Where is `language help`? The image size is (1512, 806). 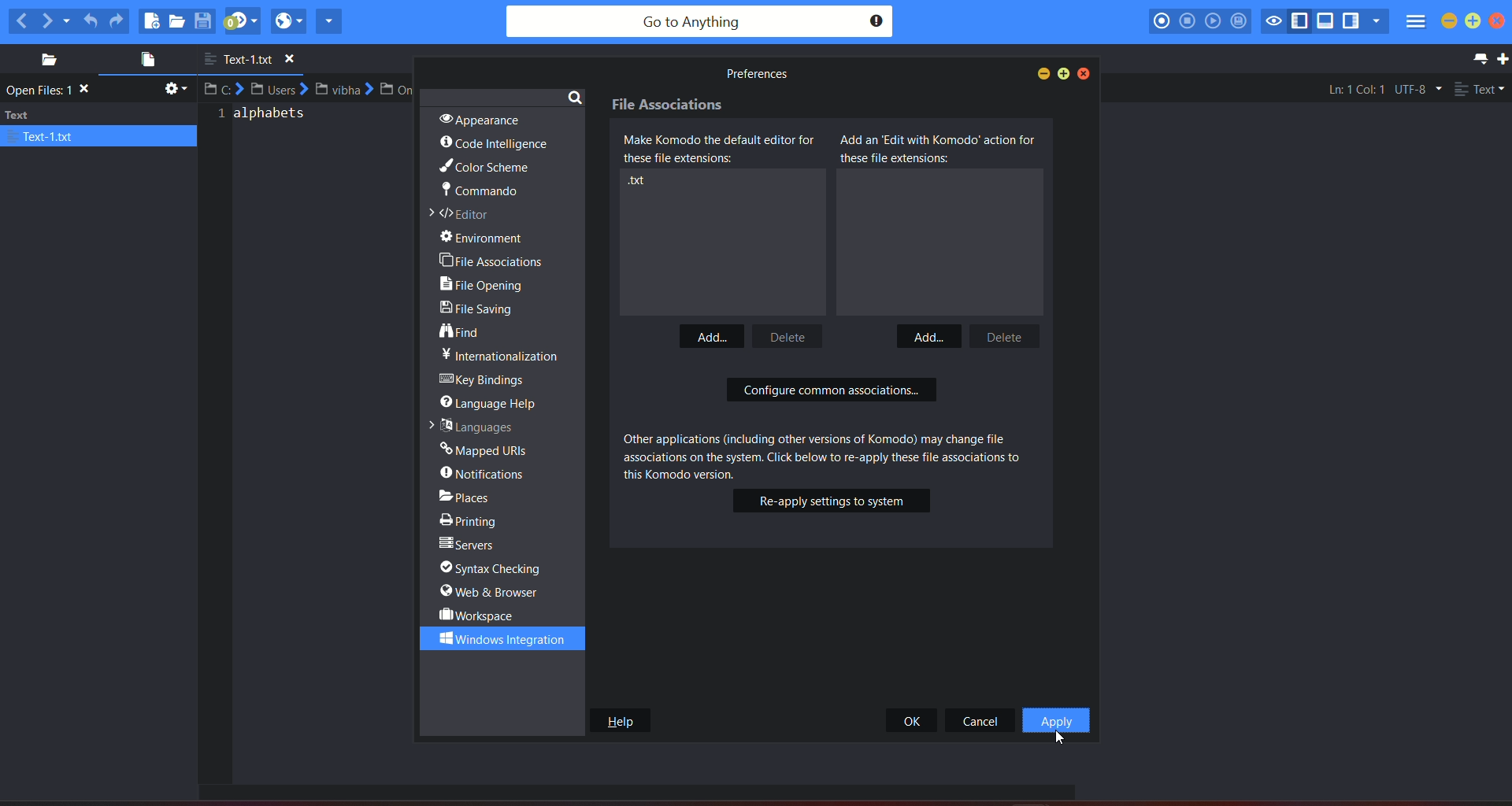
language help is located at coordinates (493, 401).